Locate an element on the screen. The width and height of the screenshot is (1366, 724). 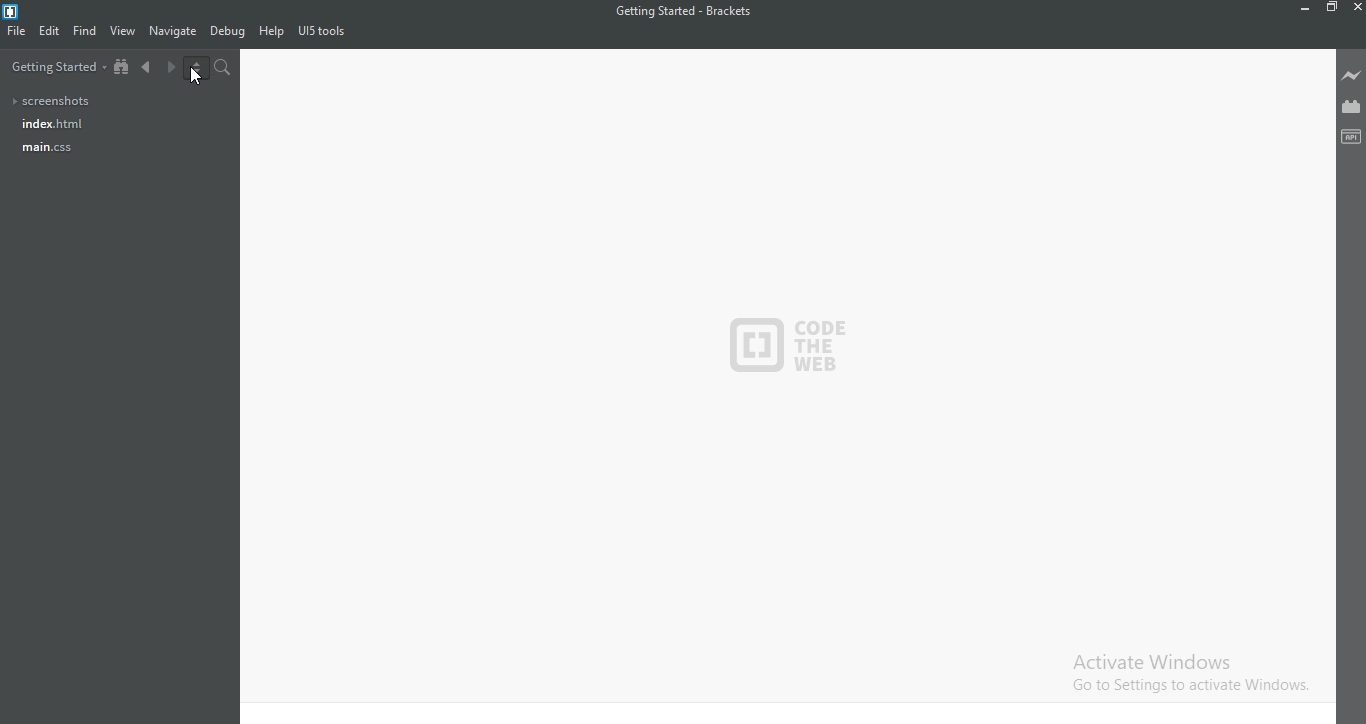
Extension Manager is located at coordinates (1351, 104).